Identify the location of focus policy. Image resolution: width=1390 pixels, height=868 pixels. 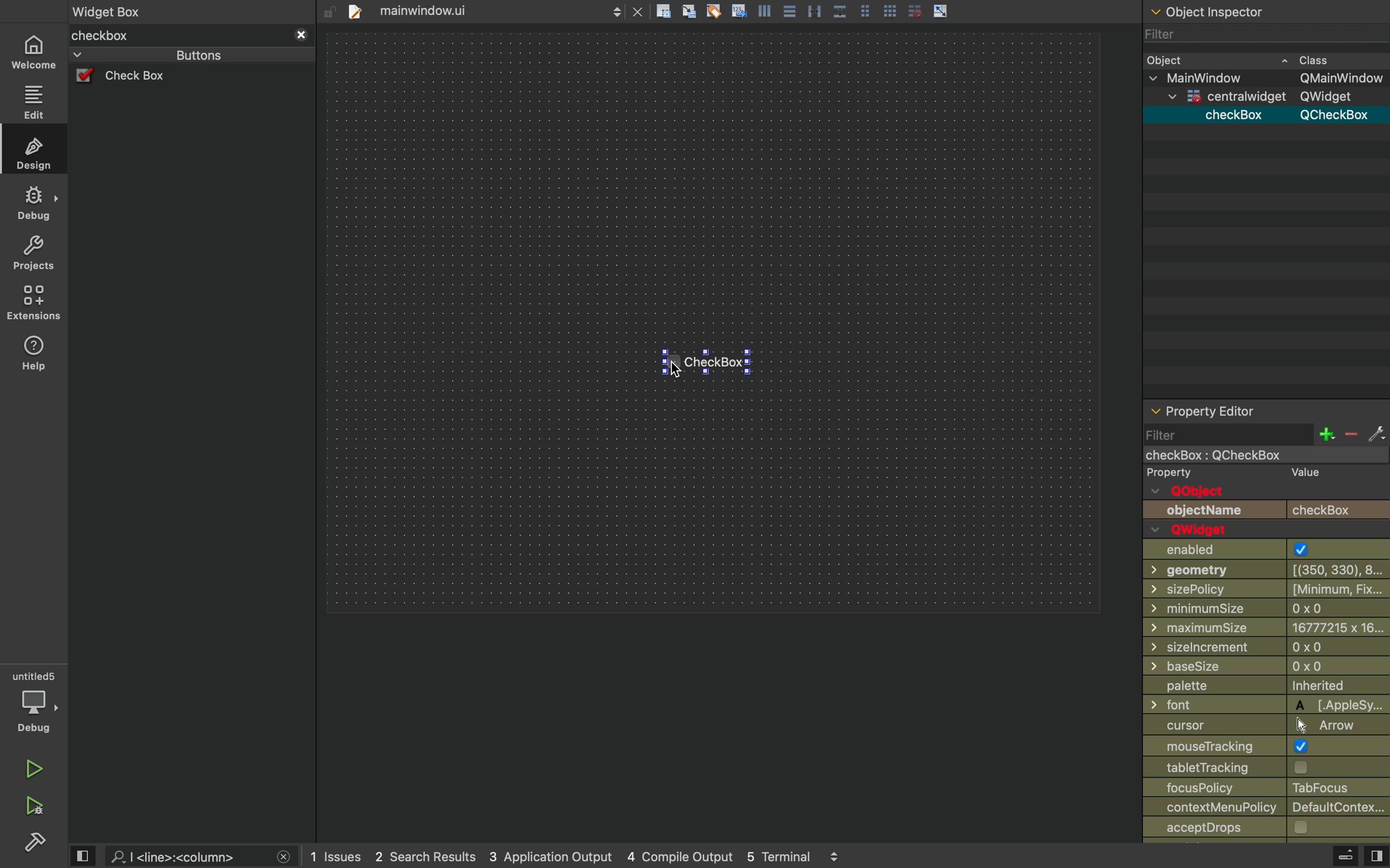
(1260, 788).